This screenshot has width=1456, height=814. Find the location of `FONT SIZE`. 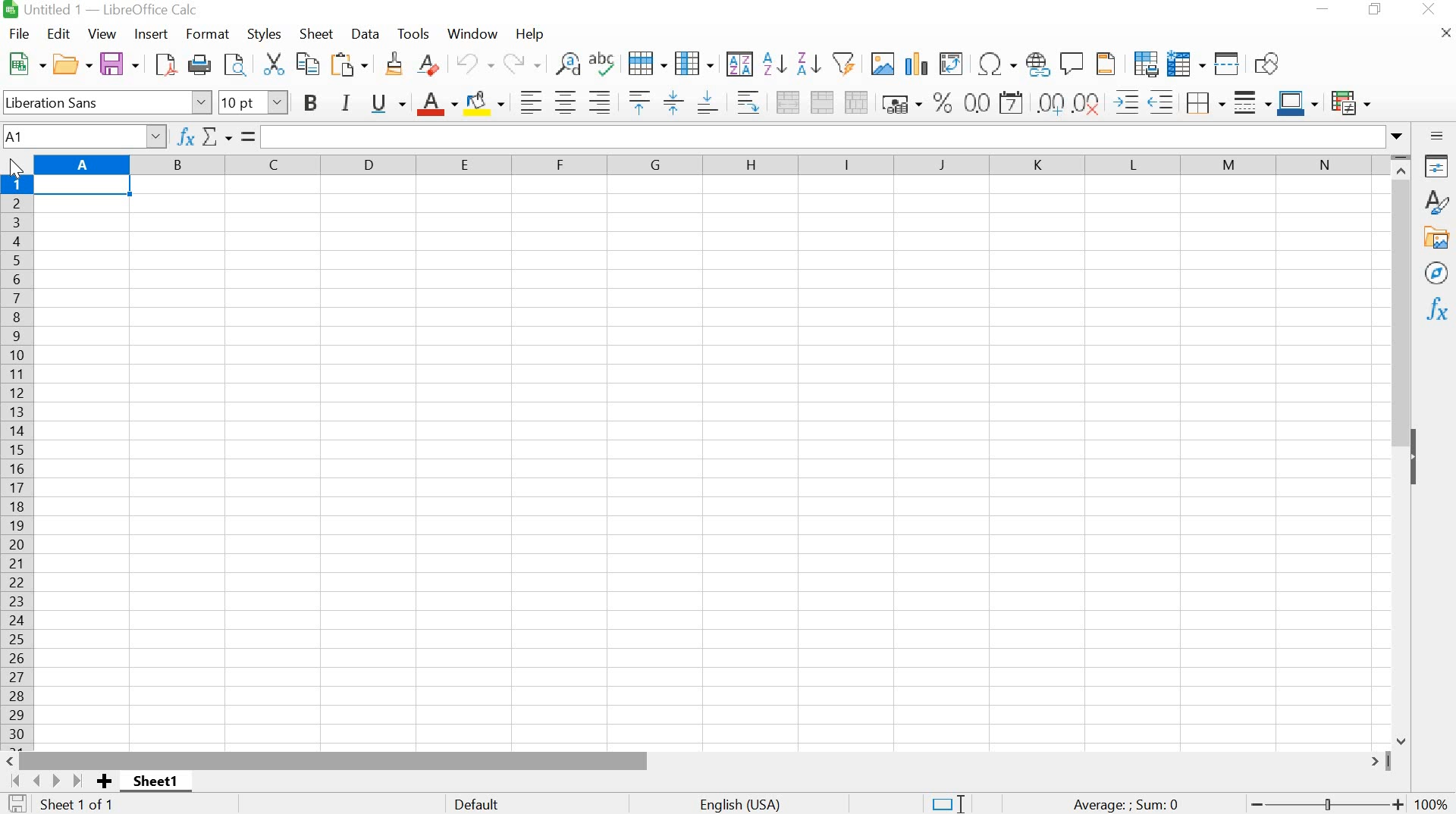

FONT SIZE is located at coordinates (256, 103).